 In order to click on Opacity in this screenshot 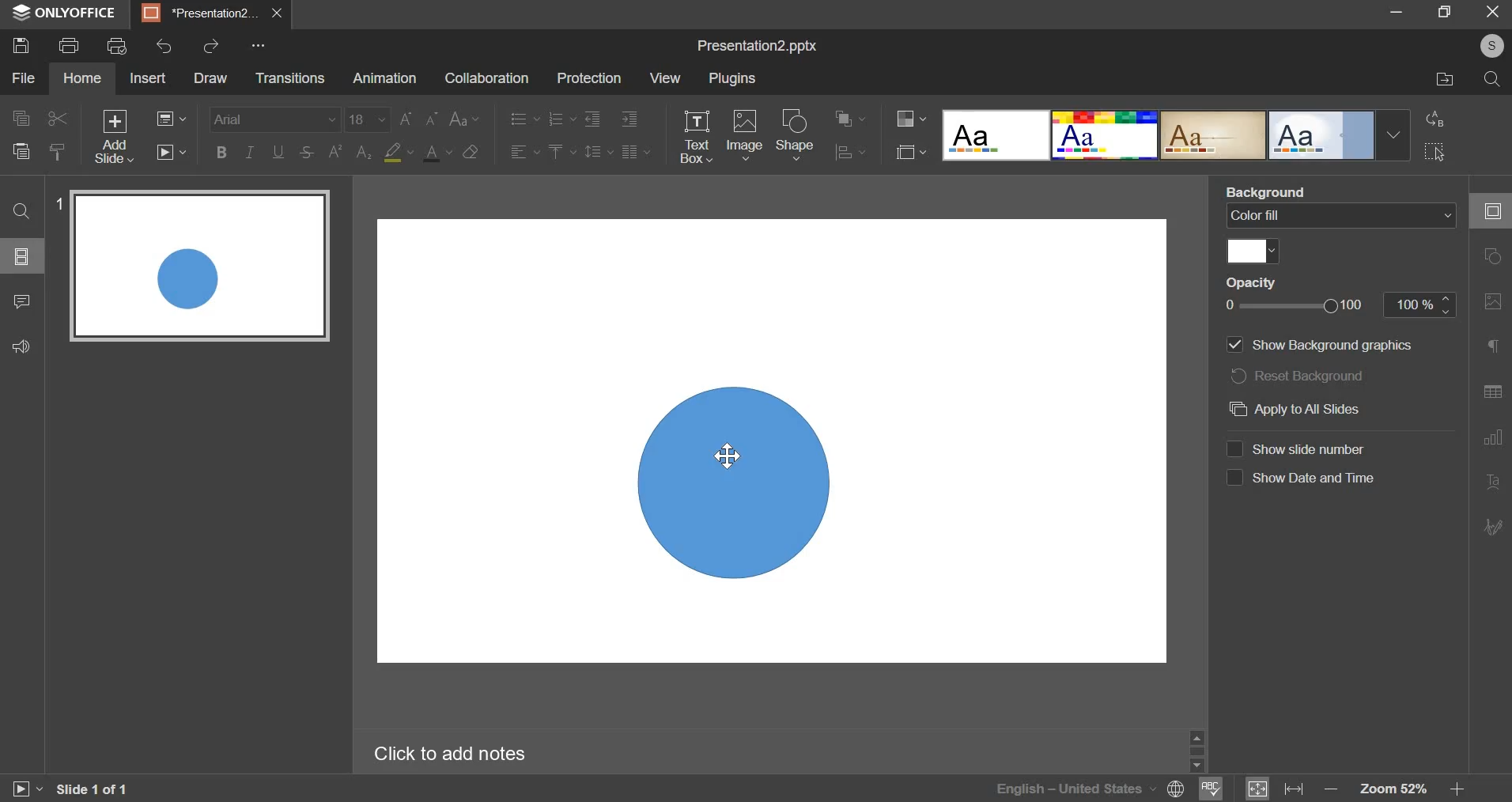, I will do `click(1247, 282)`.